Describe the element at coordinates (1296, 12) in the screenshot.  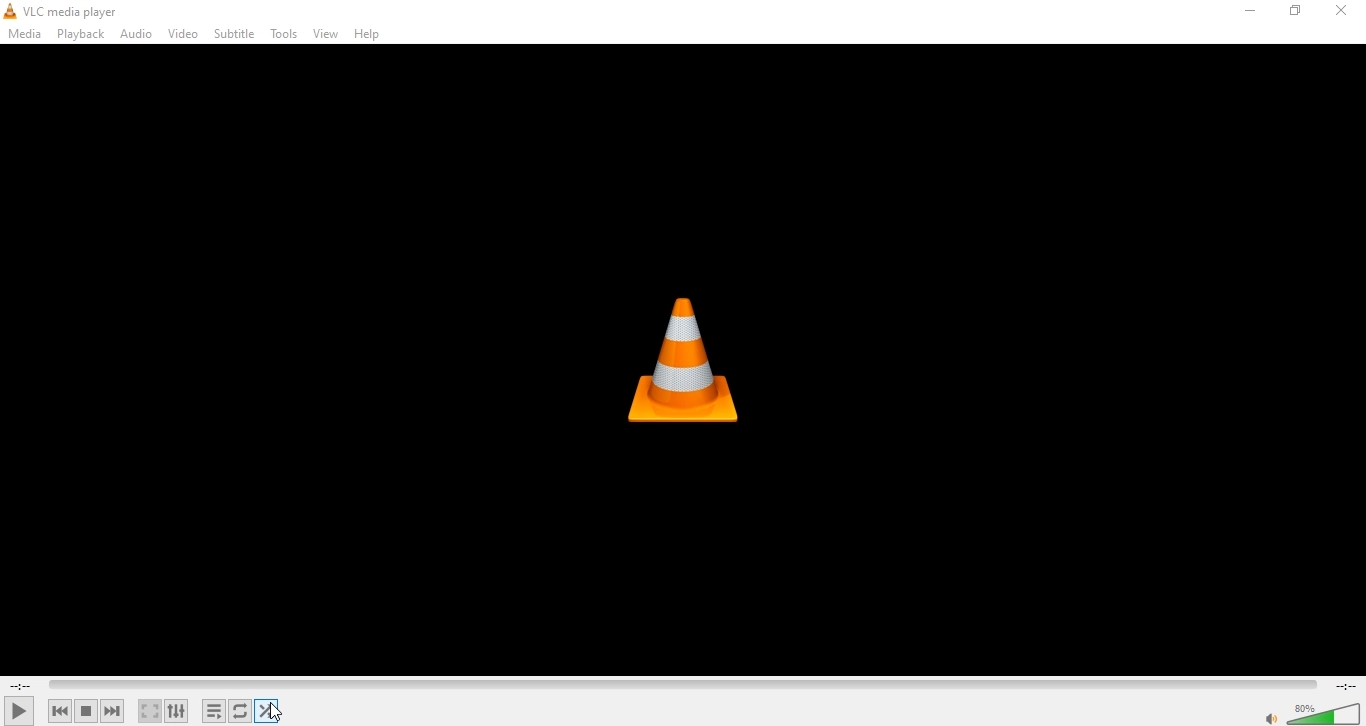
I see `restore` at that location.